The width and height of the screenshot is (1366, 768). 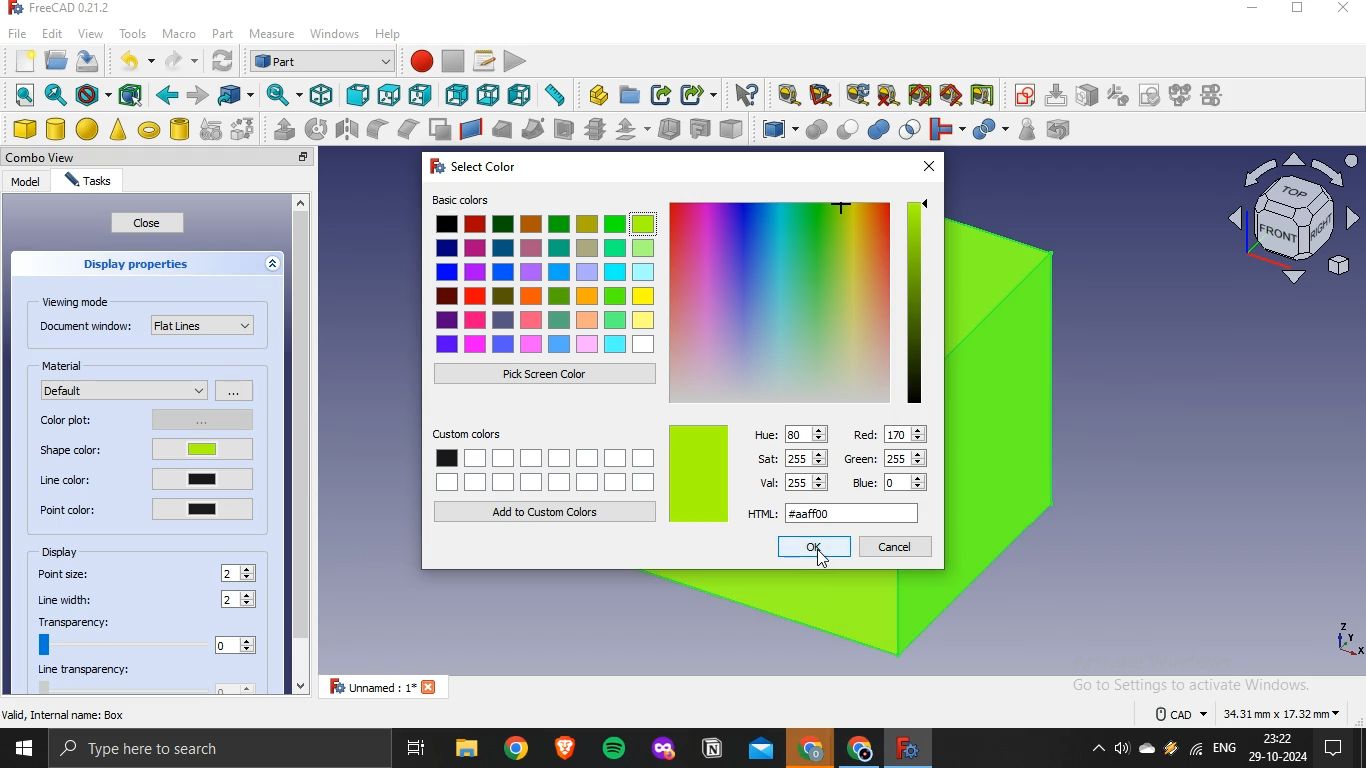 What do you see at coordinates (220, 61) in the screenshot?
I see `refresh` at bounding box center [220, 61].